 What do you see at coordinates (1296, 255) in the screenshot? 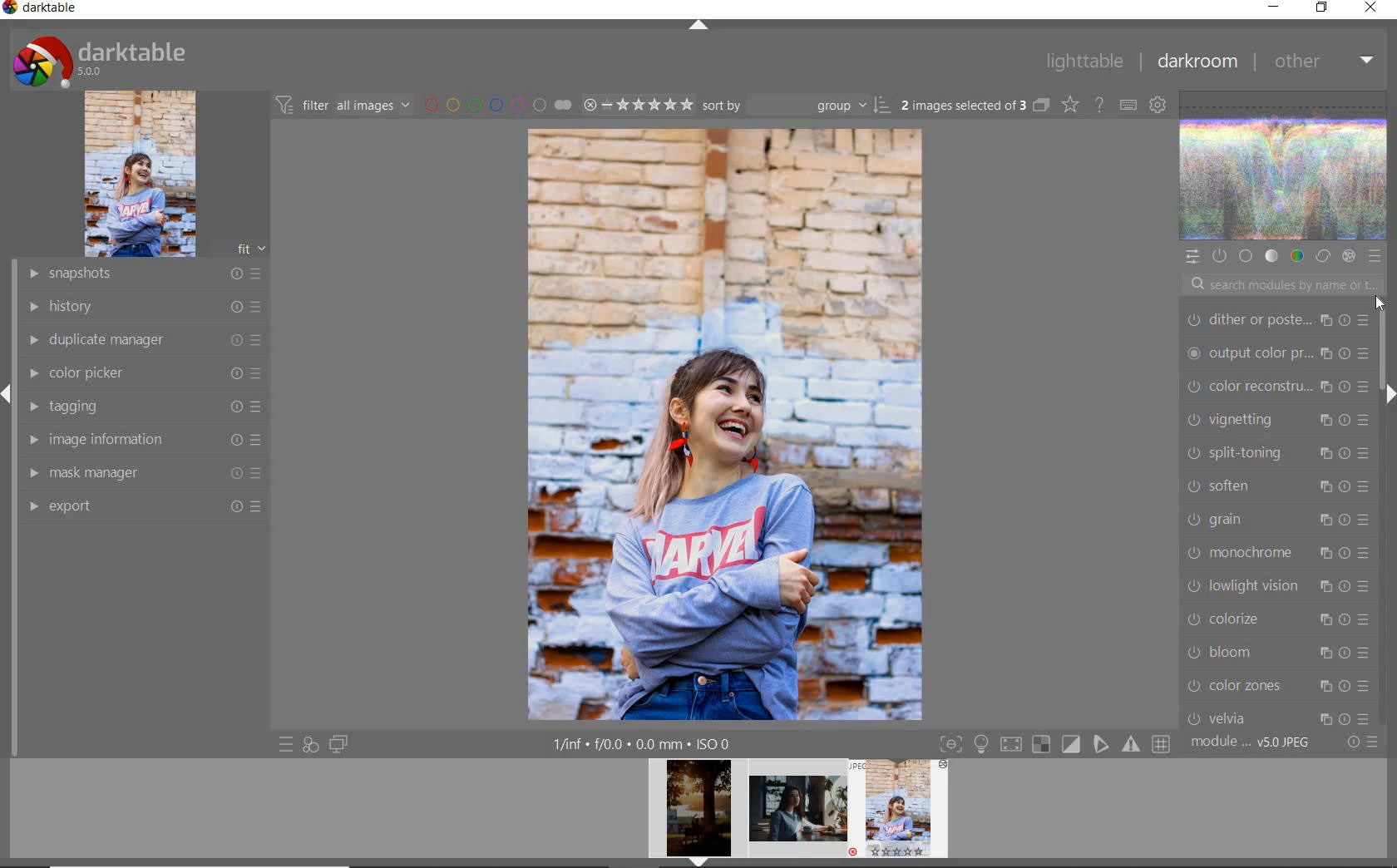
I see `color` at bounding box center [1296, 255].